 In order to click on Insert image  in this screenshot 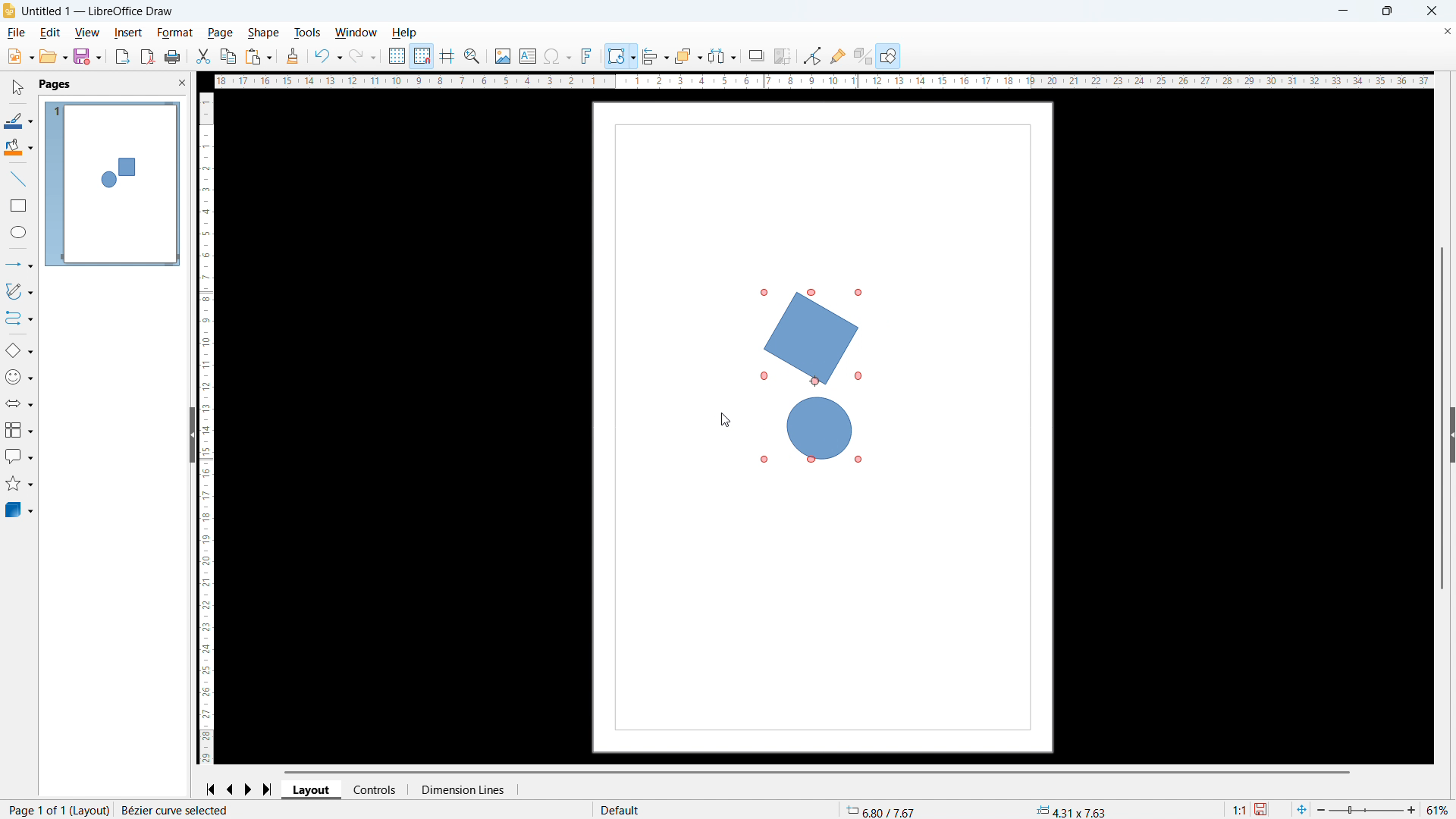, I will do `click(504, 55)`.